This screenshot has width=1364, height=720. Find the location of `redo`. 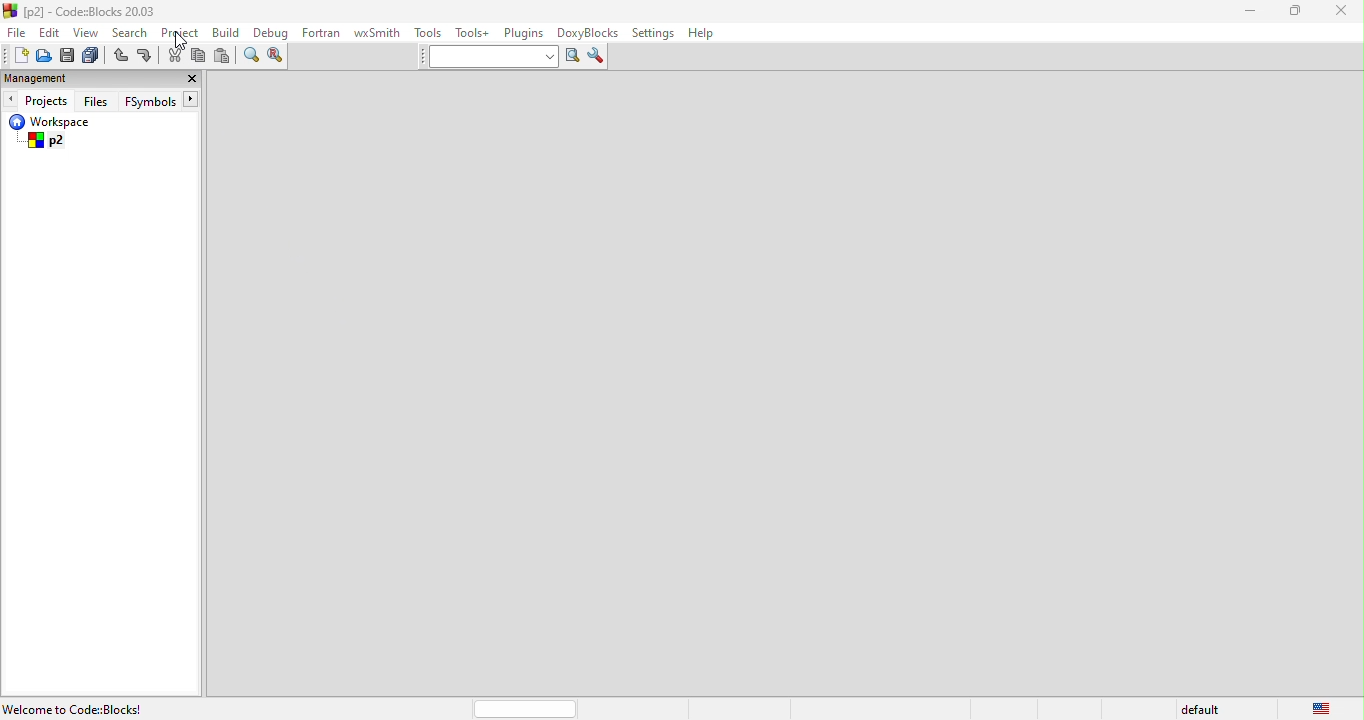

redo is located at coordinates (145, 57).